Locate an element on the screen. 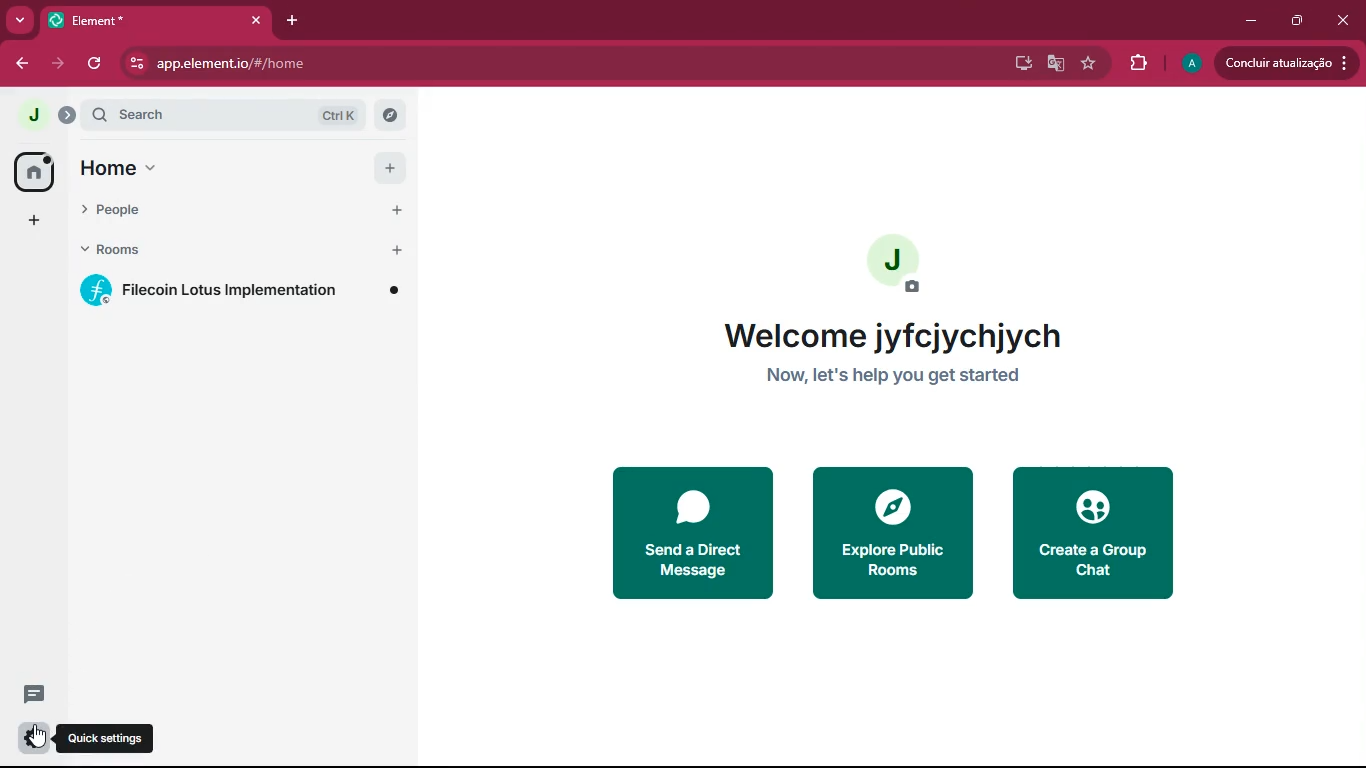 This screenshot has width=1366, height=768. close is located at coordinates (1346, 23).